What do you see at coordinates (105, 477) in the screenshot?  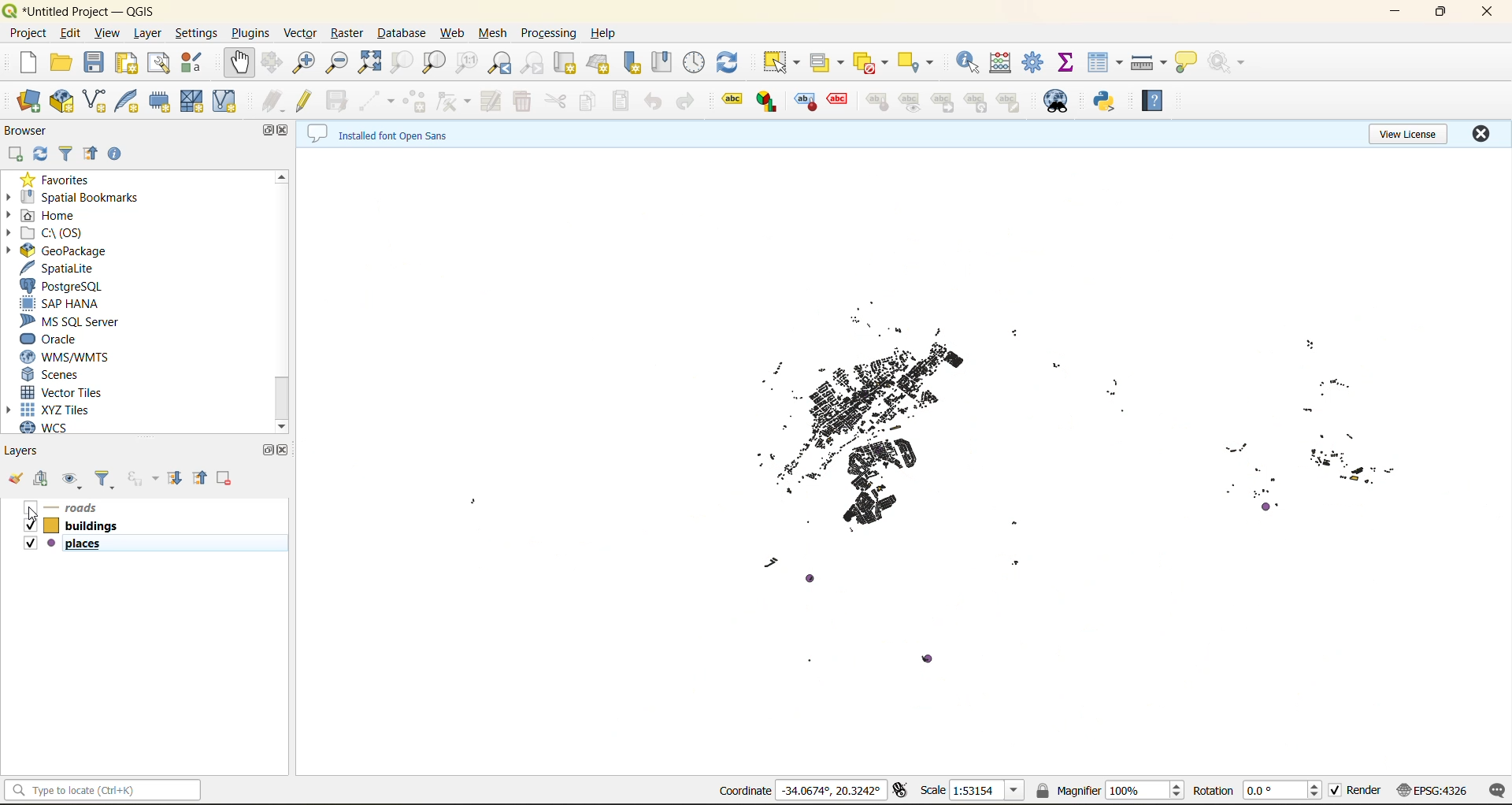 I see `filter` at bounding box center [105, 477].